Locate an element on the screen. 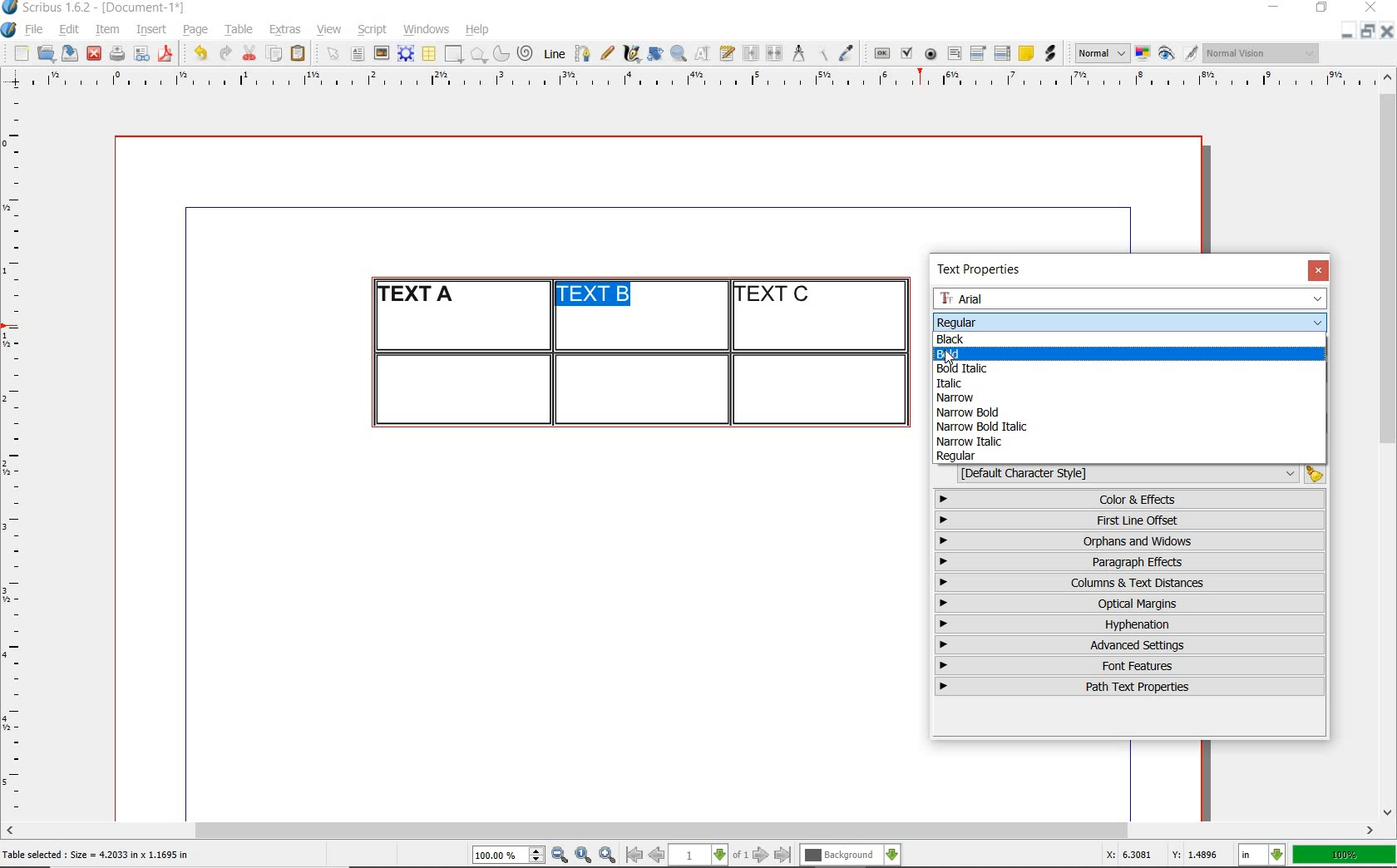 The image size is (1397, 868). pdf text field is located at coordinates (954, 55).